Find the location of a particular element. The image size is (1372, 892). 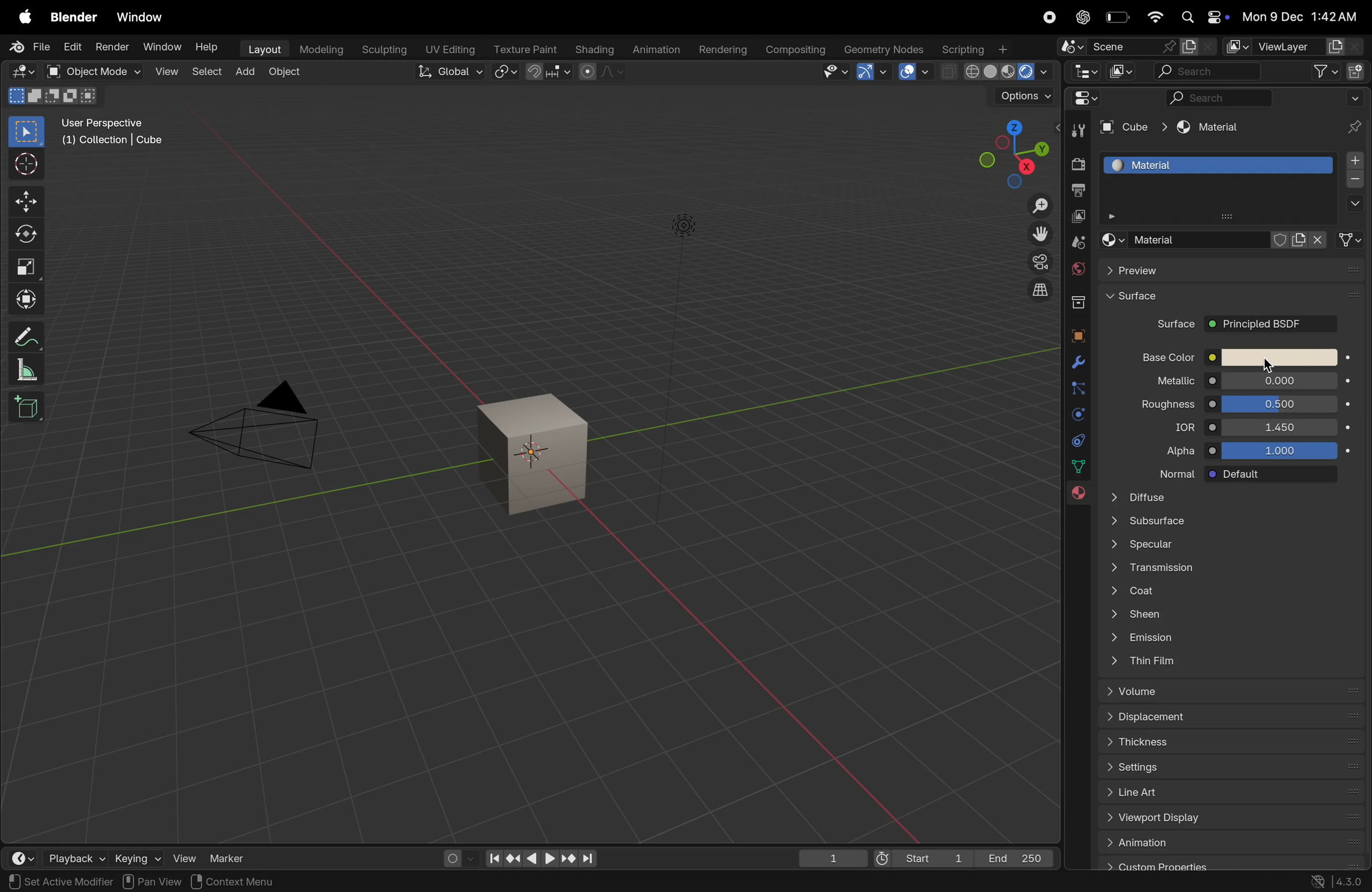

search is located at coordinates (1208, 71).